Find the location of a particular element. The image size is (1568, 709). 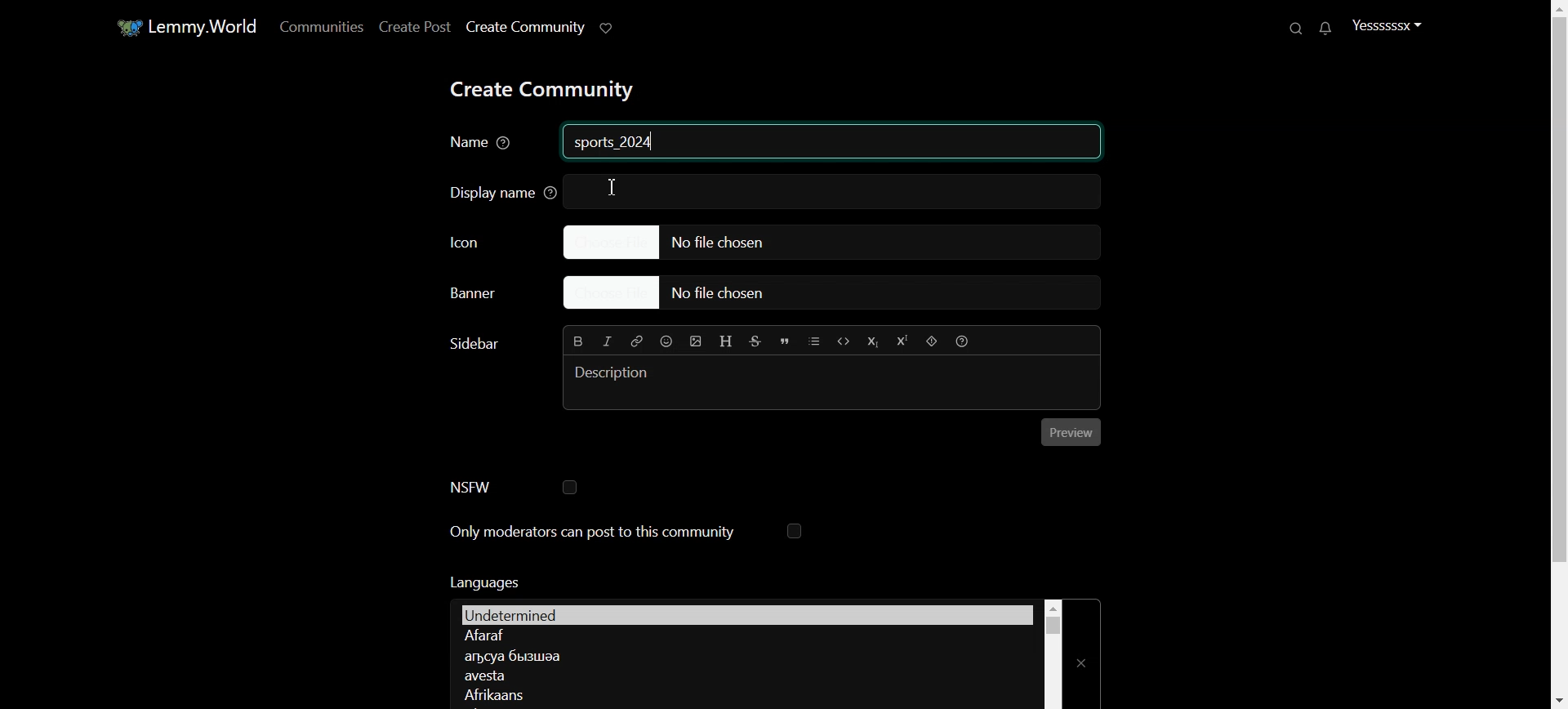

Language is located at coordinates (742, 655).